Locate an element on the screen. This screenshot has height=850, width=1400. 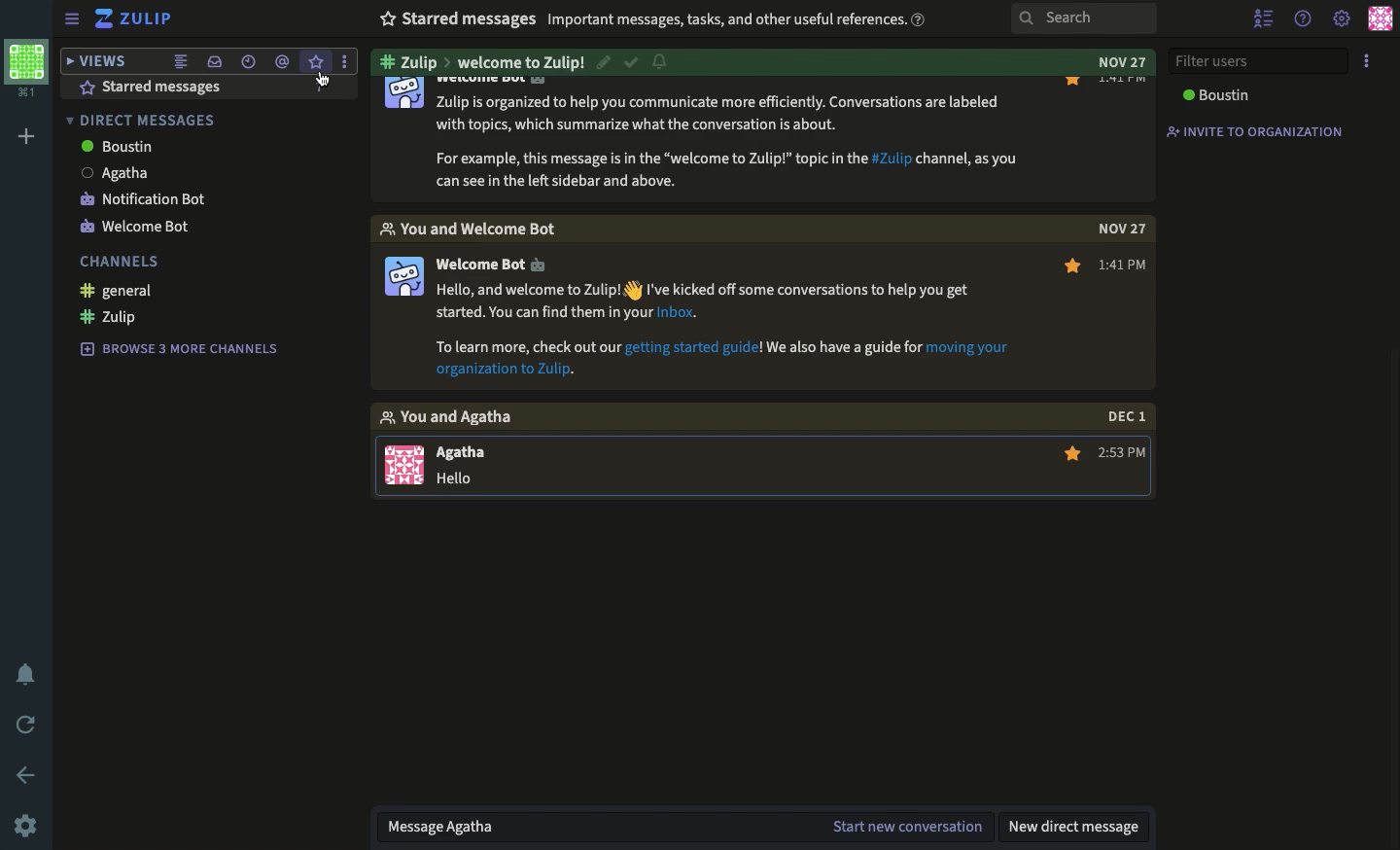
channels is located at coordinates (115, 262).